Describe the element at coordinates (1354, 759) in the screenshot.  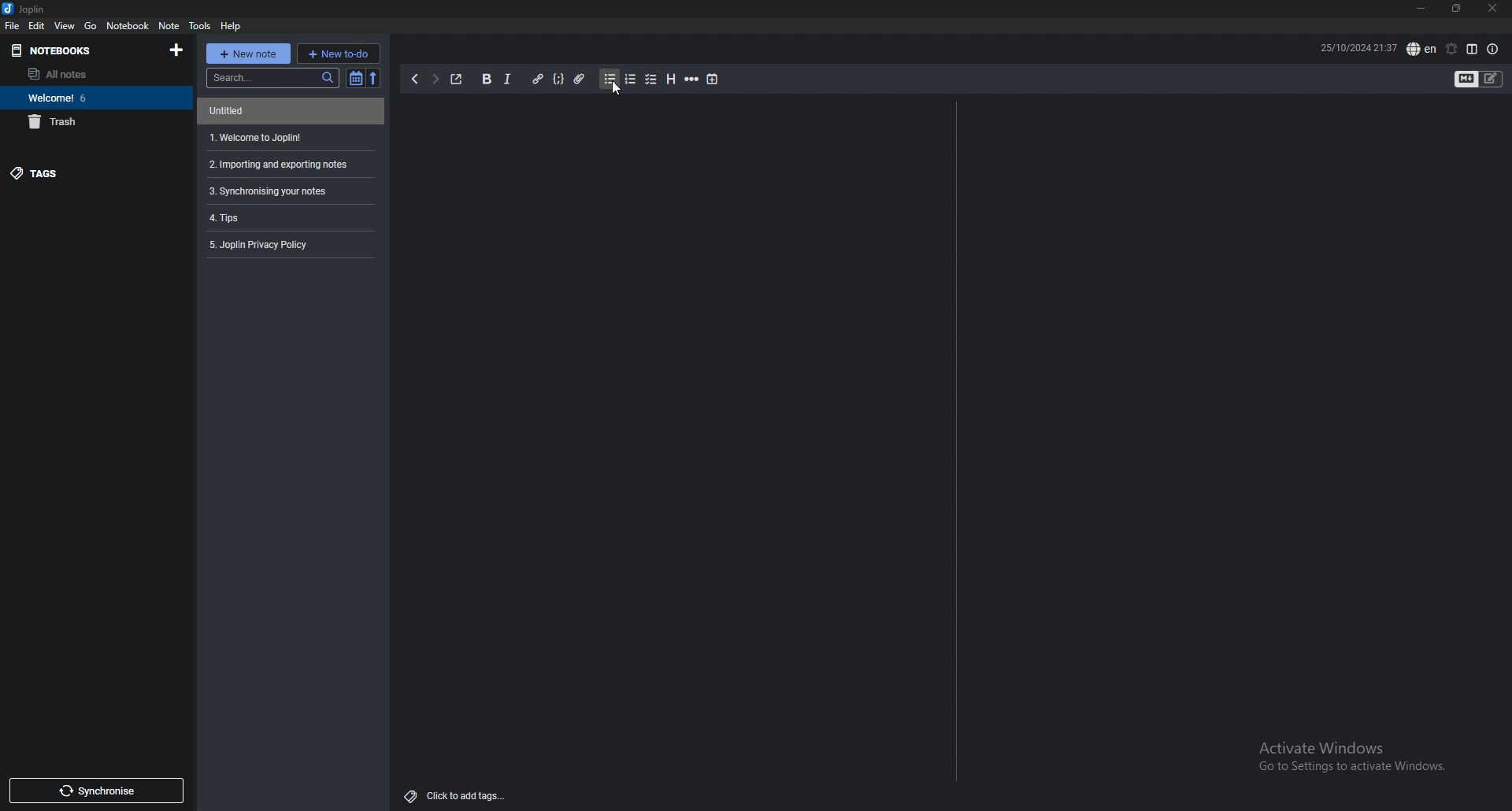
I see `Activate Windows` at that location.